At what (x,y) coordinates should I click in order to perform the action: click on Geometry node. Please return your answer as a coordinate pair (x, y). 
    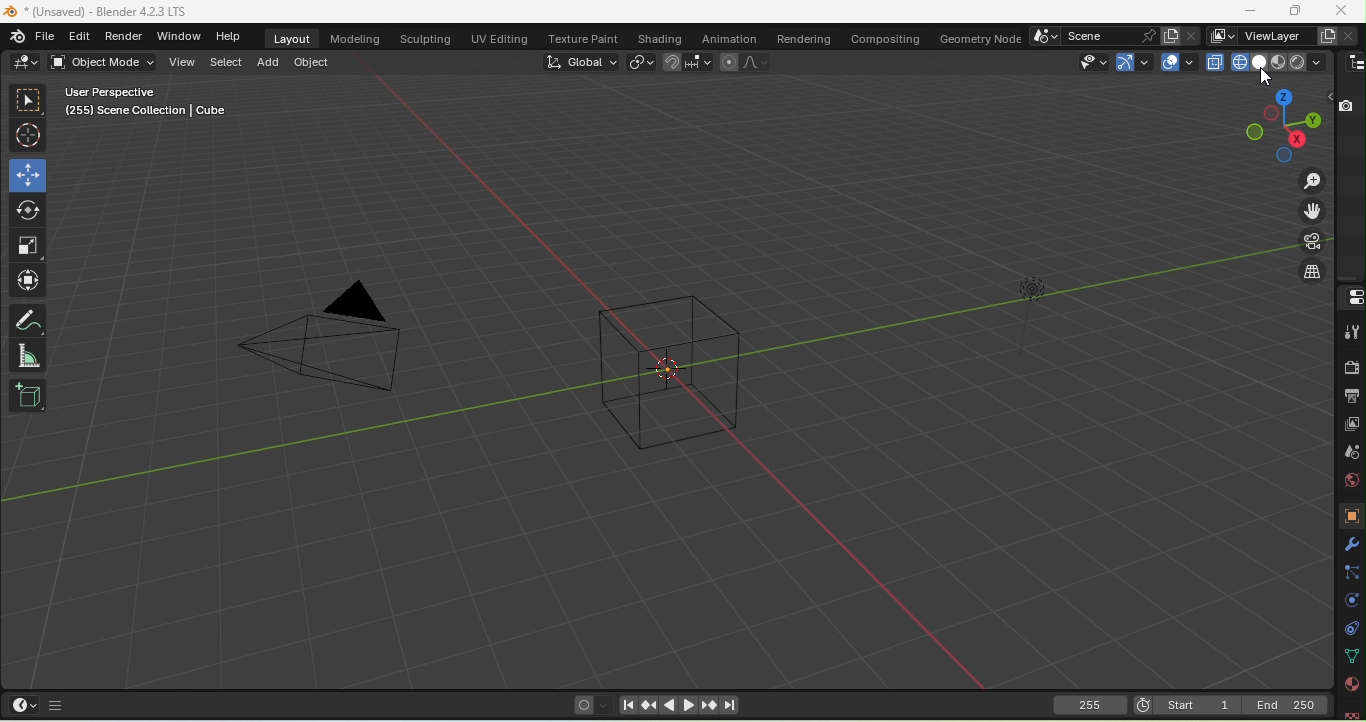
    Looking at the image, I should click on (977, 37).